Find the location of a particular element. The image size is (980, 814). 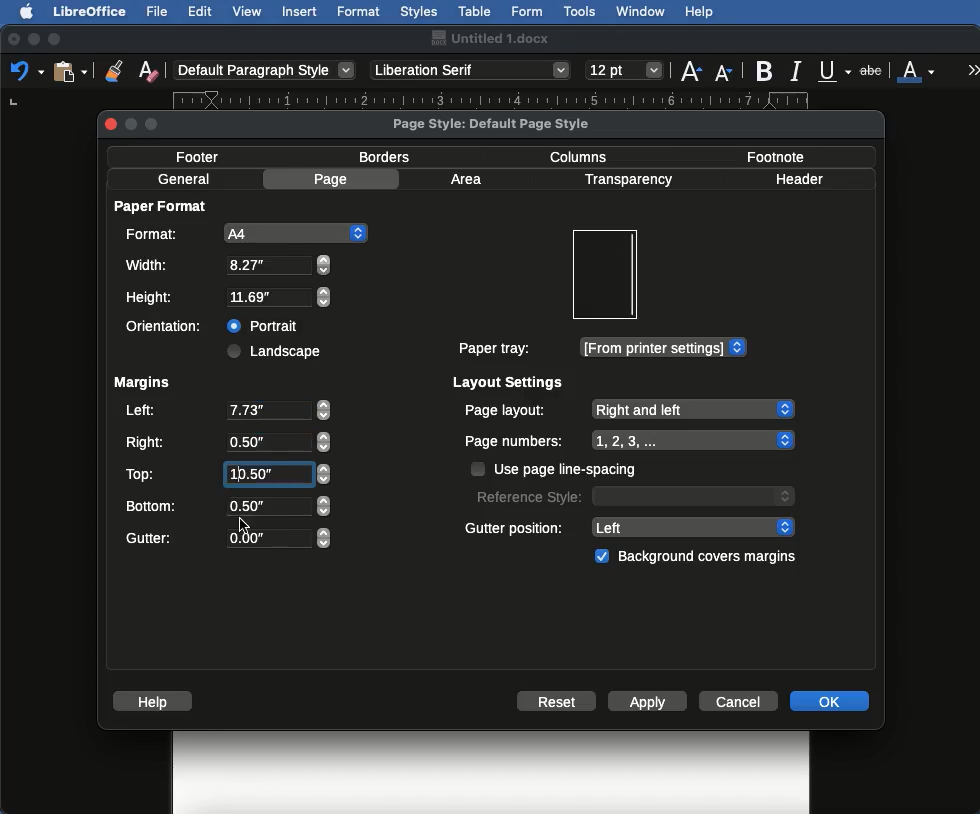

Portrait is located at coordinates (265, 323).